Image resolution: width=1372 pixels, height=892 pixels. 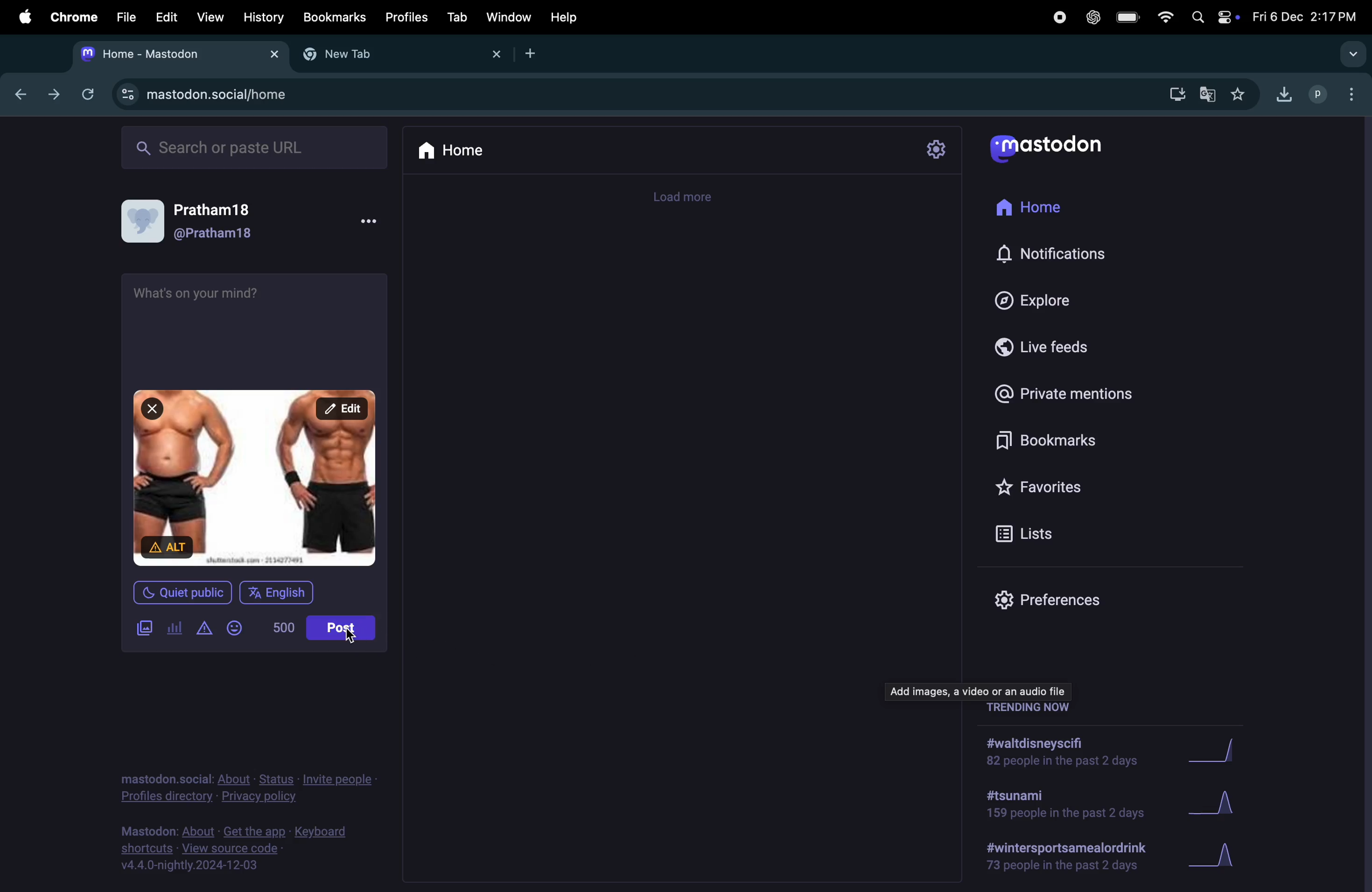 I want to click on date and time, so click(x=1304, y=16).